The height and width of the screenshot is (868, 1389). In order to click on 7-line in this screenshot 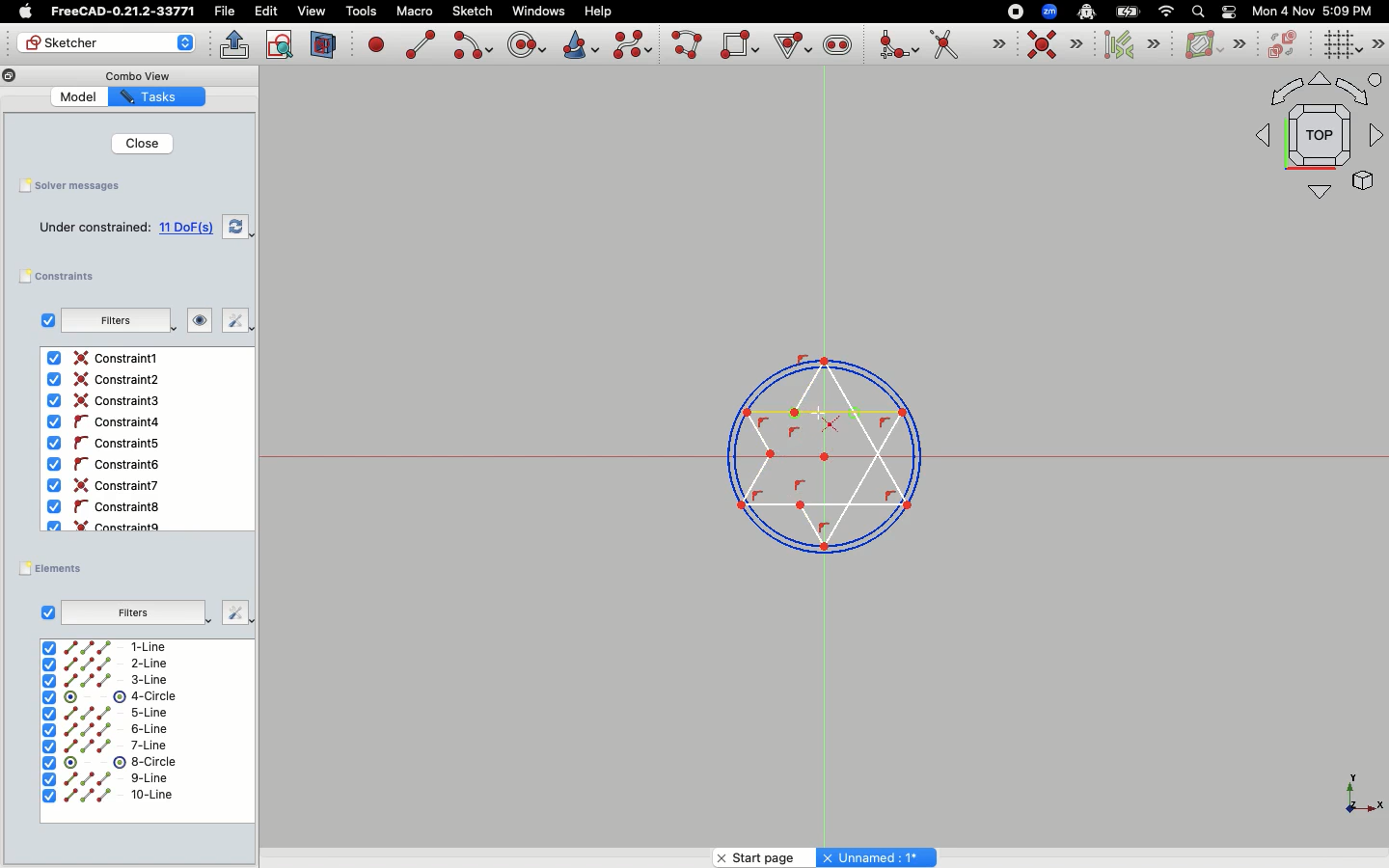, I will do `click(106, 746)`.